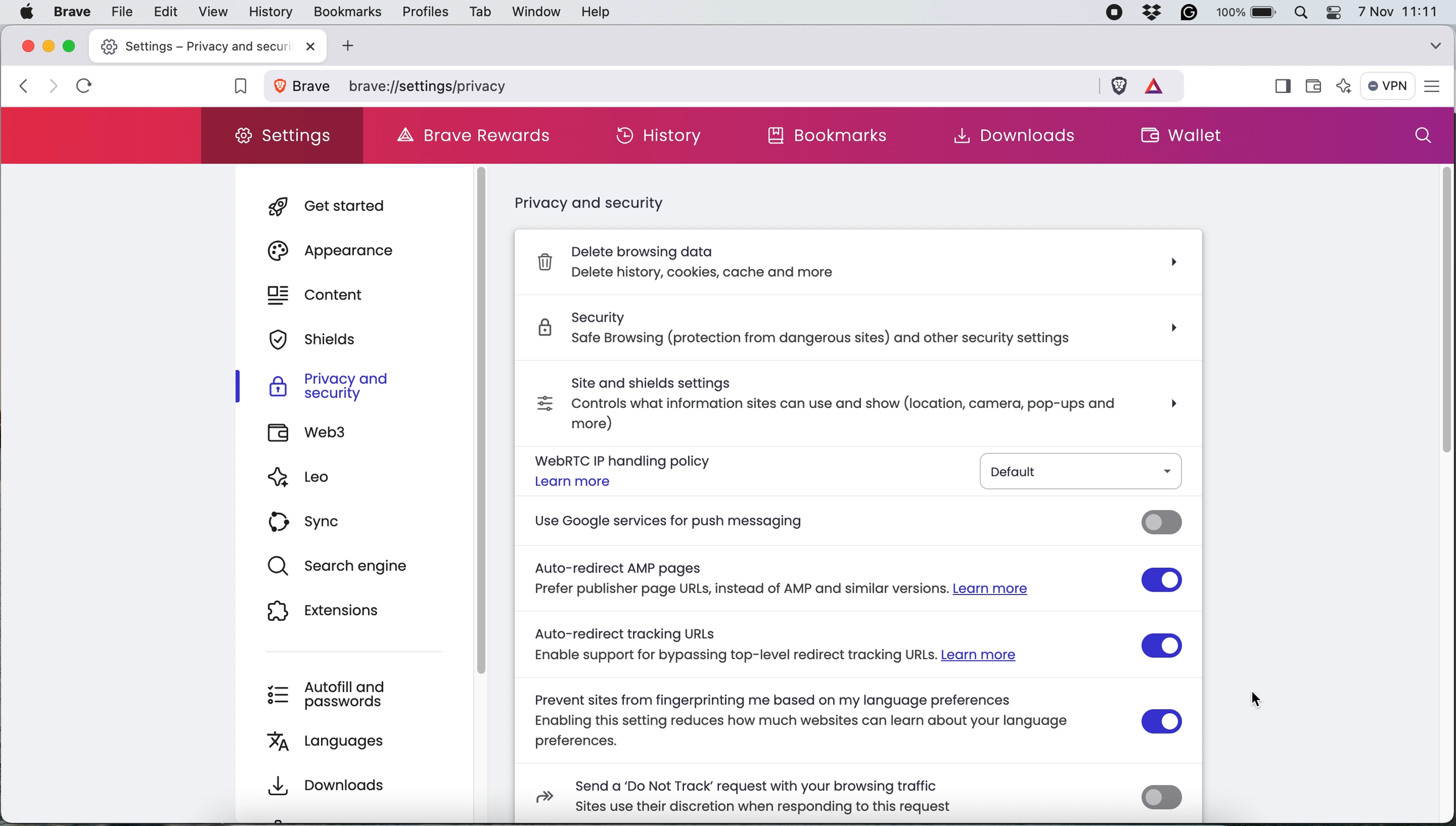  I want to click on view site information, so click(305, 87).